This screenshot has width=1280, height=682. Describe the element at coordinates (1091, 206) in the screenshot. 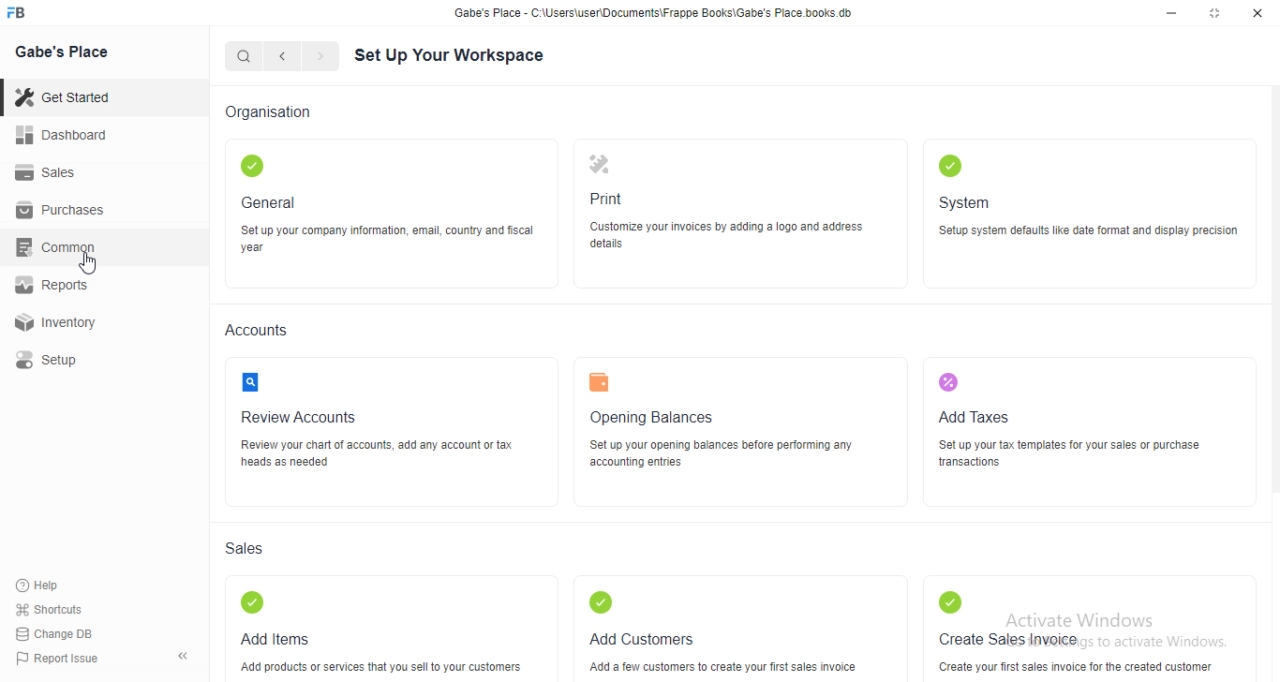

I see `System Setup system defaults ks cat format an dps recon` at that location.